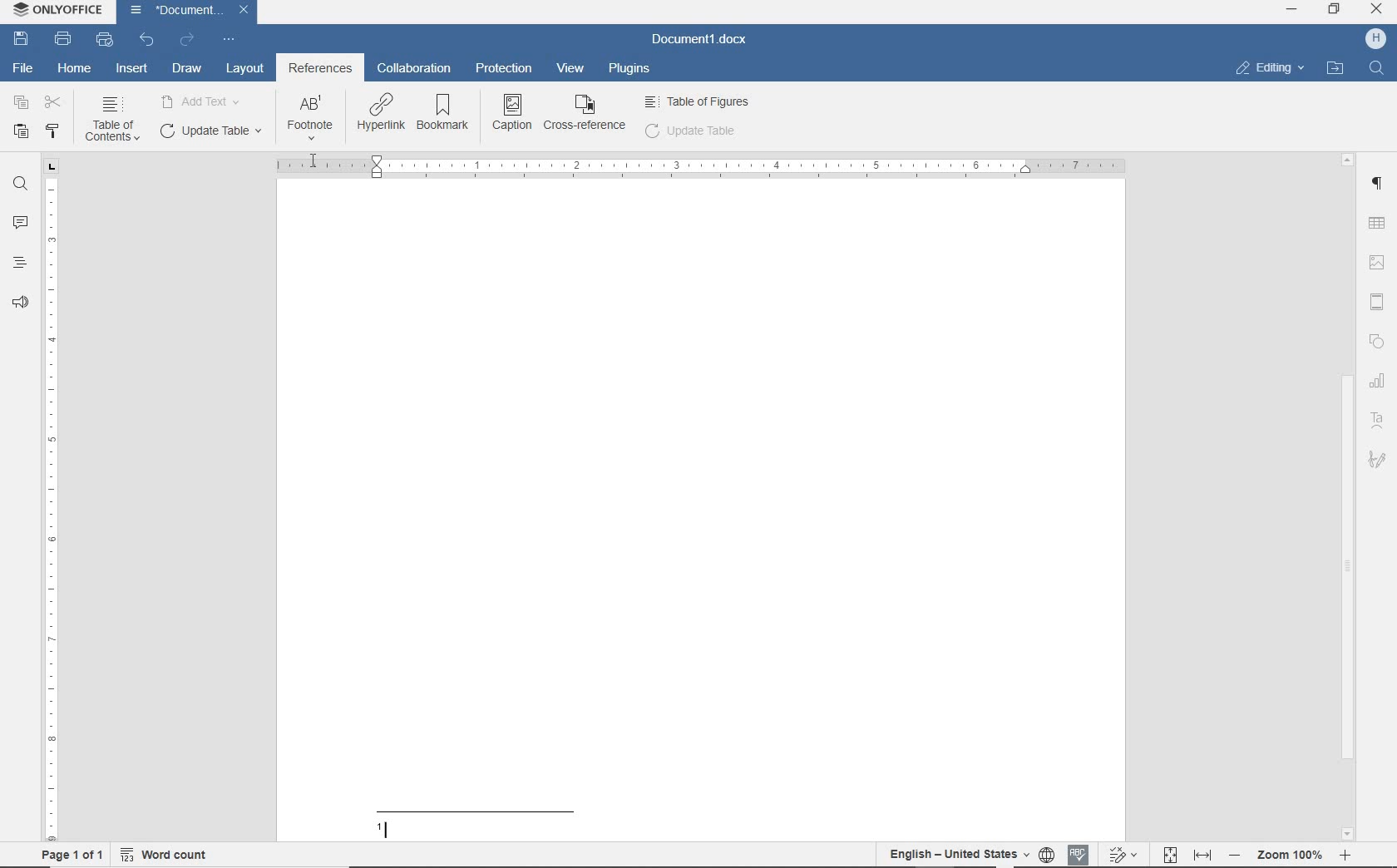 Image resolution: width=1397 pixels, height=868 pixels. What do you see at coordinates (21, 298) in the screenshot?
I see `feedback & support` at bounding box center [21, 298].